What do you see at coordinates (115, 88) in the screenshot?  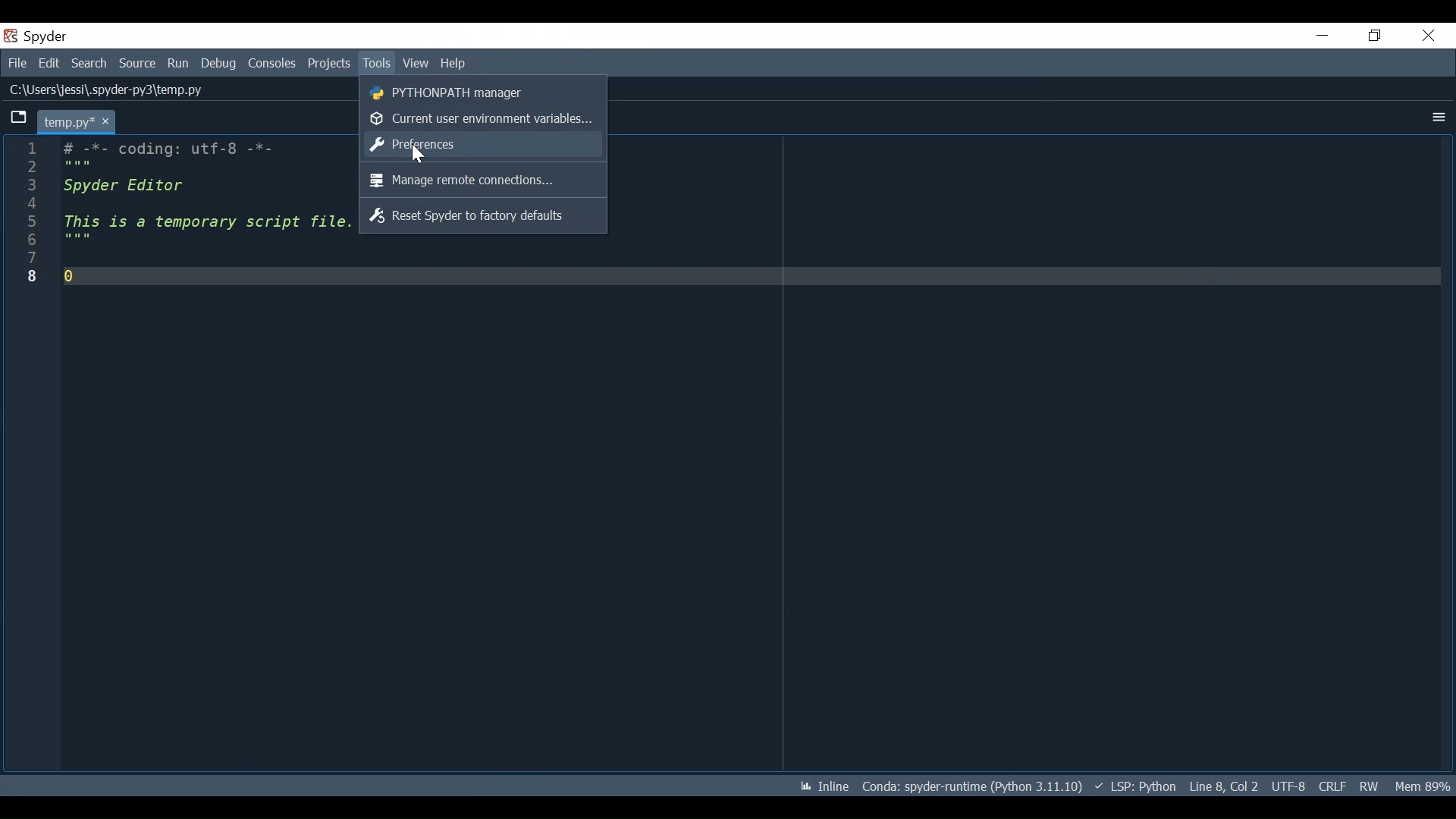 I see `File Path` at bounding box center [115, 88].